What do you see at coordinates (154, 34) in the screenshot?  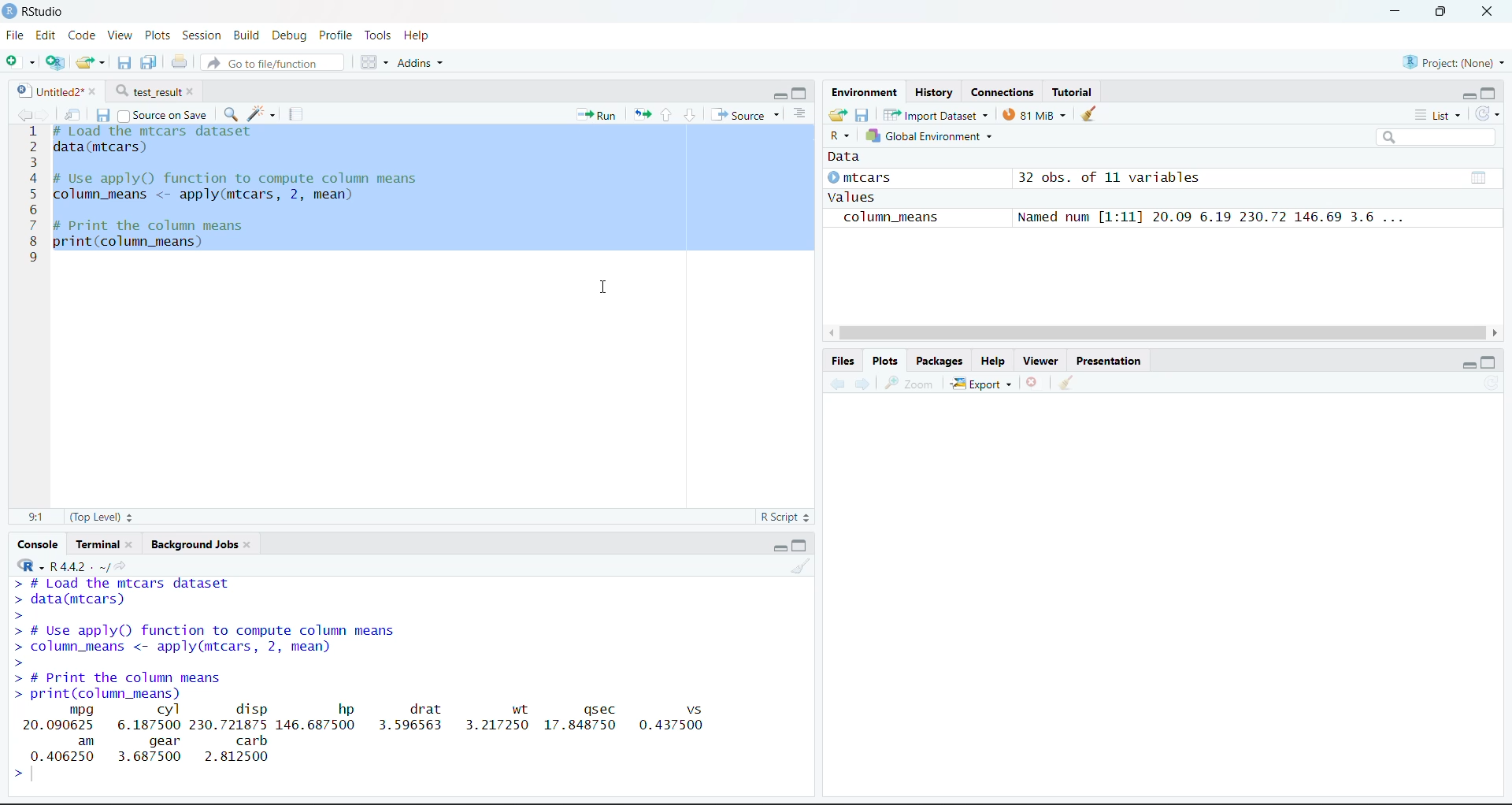 I see `Plots` at bounding box center [154, 34].